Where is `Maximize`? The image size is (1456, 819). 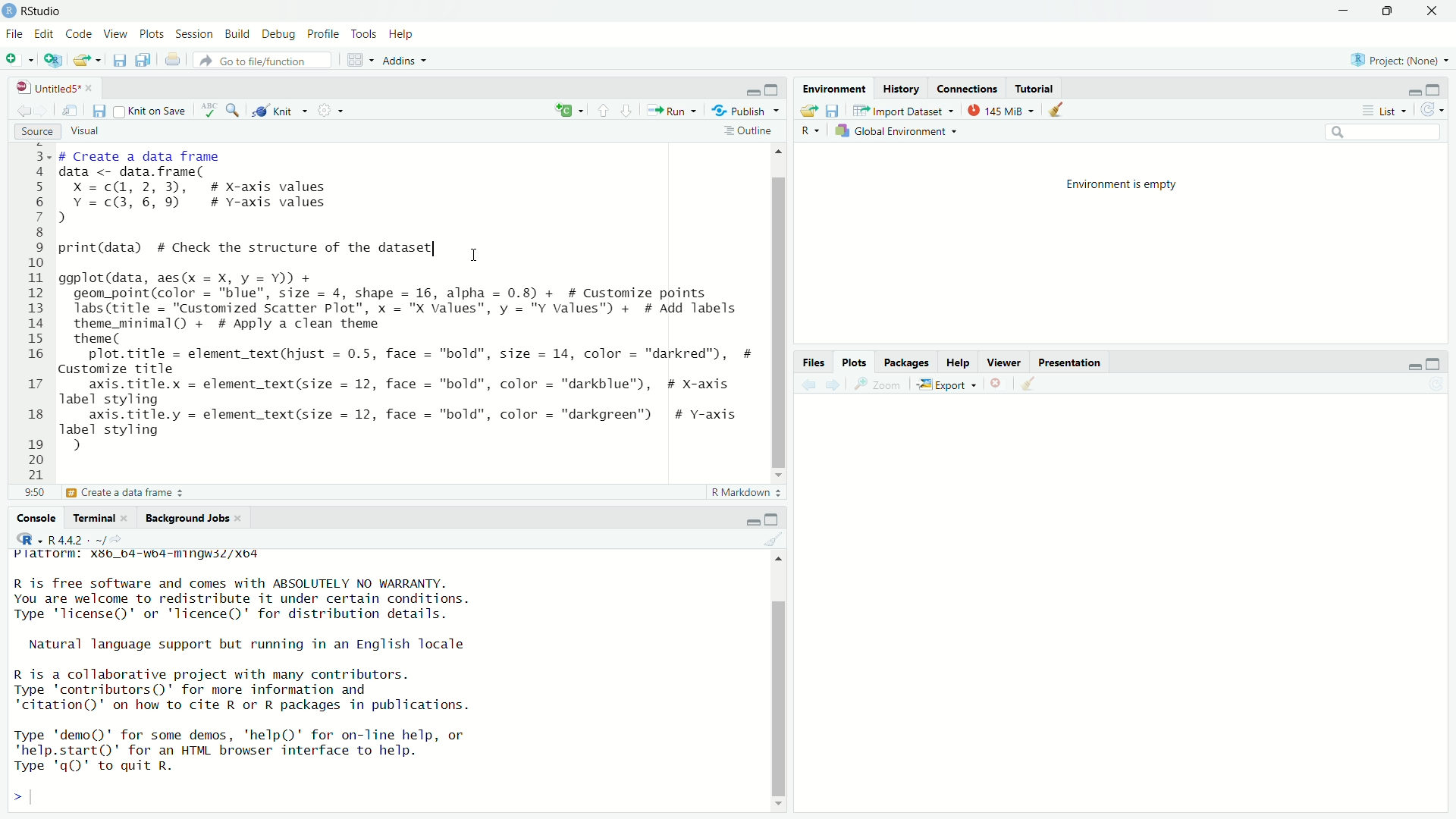 Maximize is located at coordinates (1434, 365).